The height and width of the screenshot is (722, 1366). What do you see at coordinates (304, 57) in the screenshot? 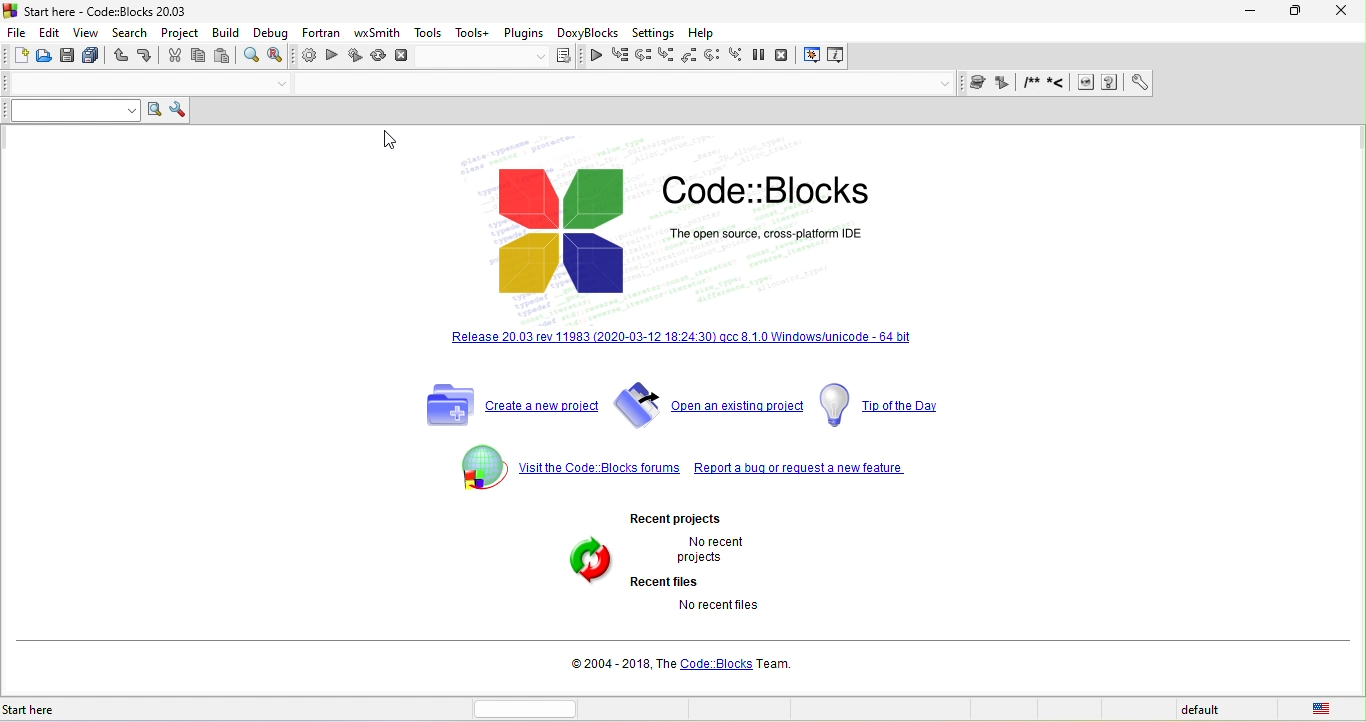
I see `build` at bounding box center [304, 57].